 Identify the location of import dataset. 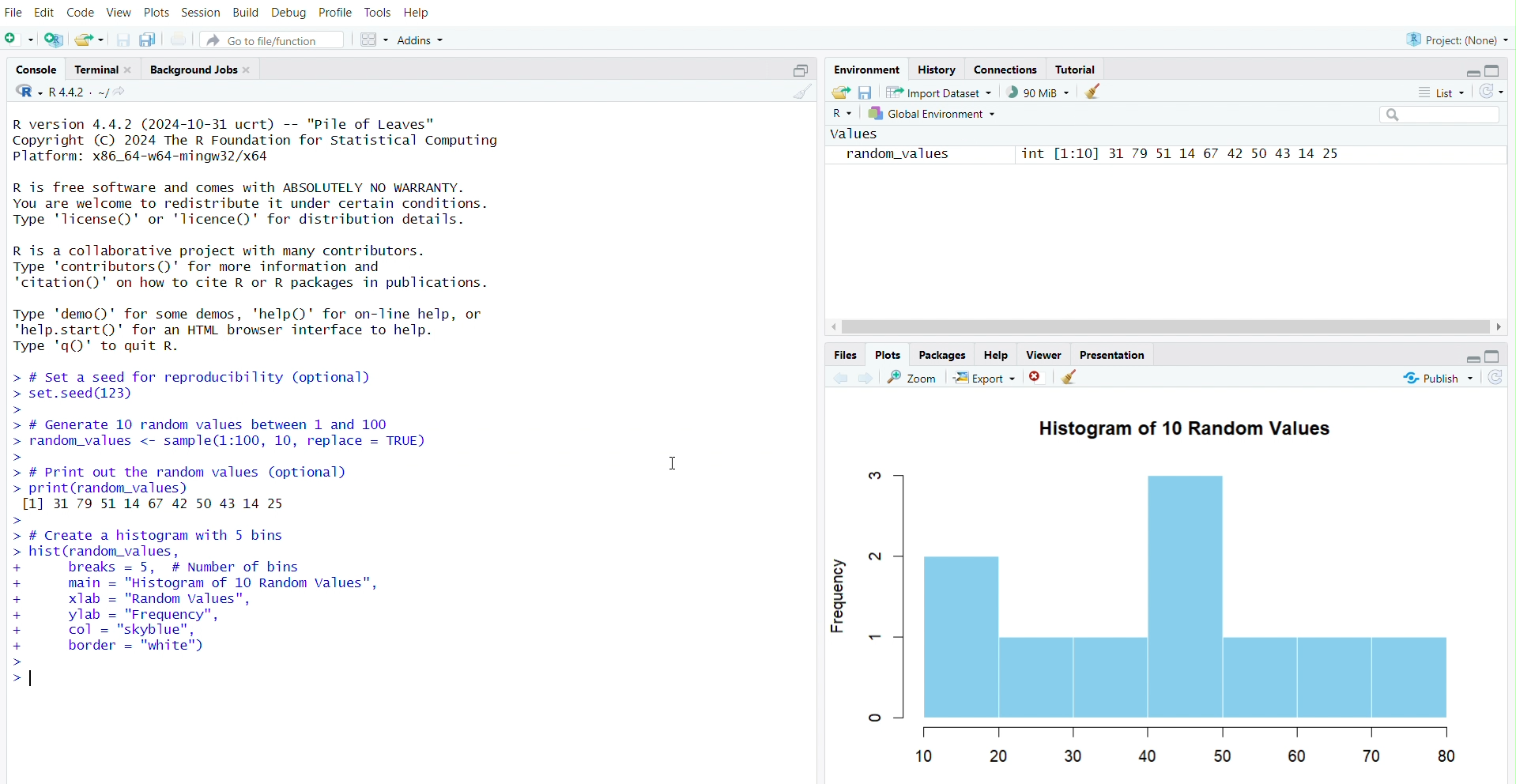
(941, 92).